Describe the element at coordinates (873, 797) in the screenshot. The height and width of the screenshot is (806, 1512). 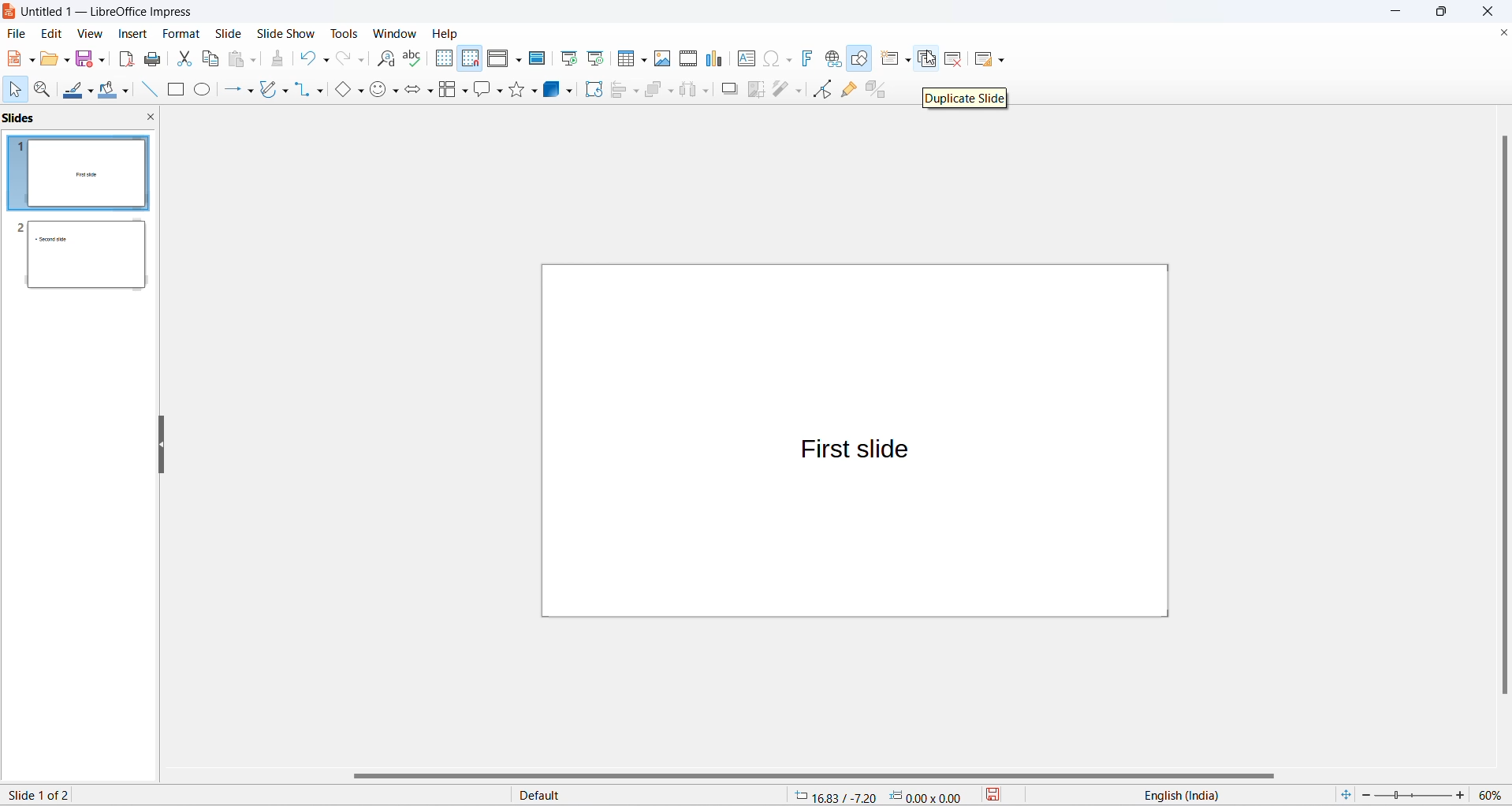
I see `cursor and selection placement` at that location.